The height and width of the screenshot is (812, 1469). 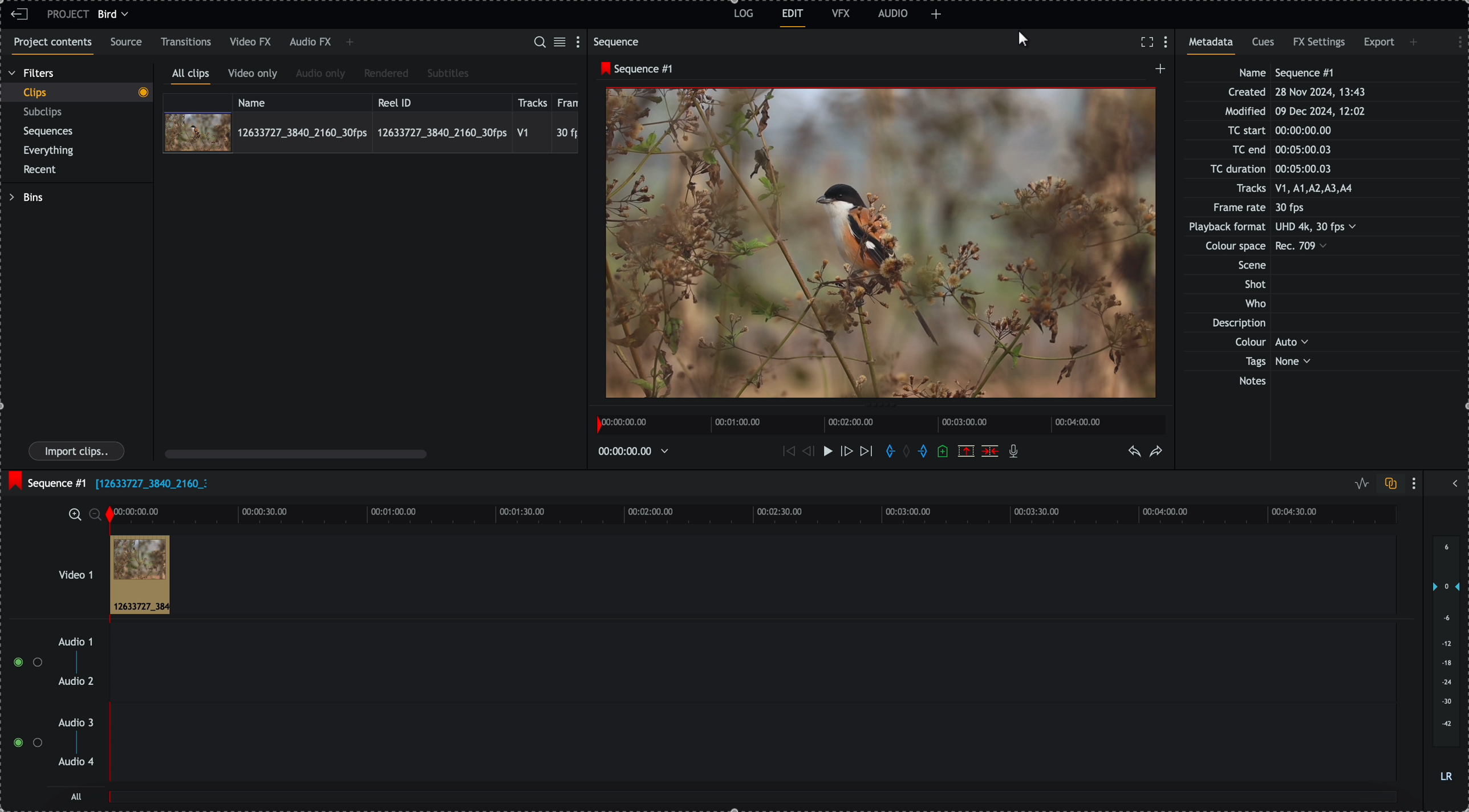 What do you see at coordinates (1168, 43) in the screenshot?
I see `show settings menu` at bounding box center [1168, 43].